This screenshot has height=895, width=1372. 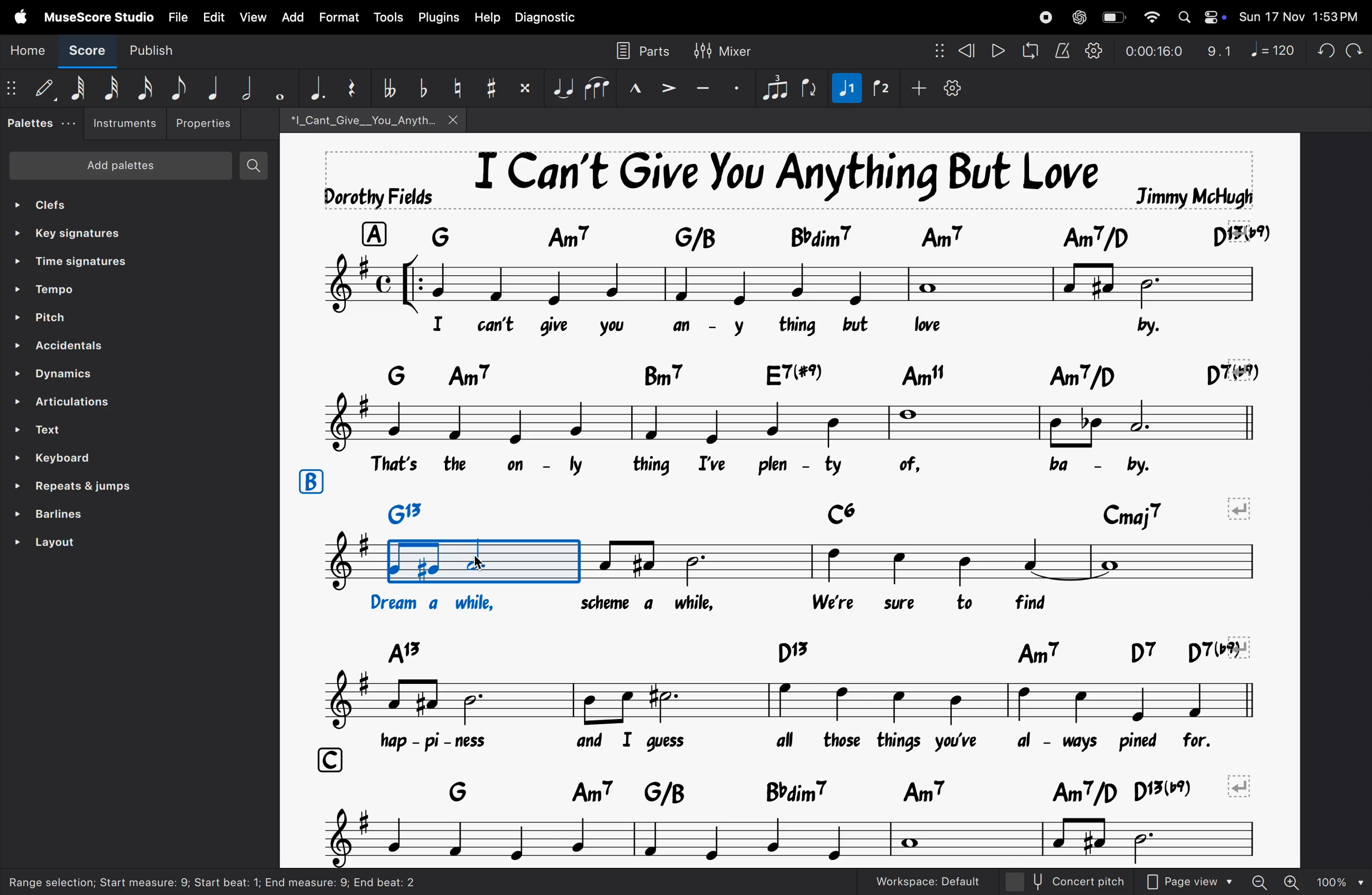 What do you see at coordinates (312, 87) in the screenshot?
I see ` aggumentation dot` at bounding box center [312, 87].